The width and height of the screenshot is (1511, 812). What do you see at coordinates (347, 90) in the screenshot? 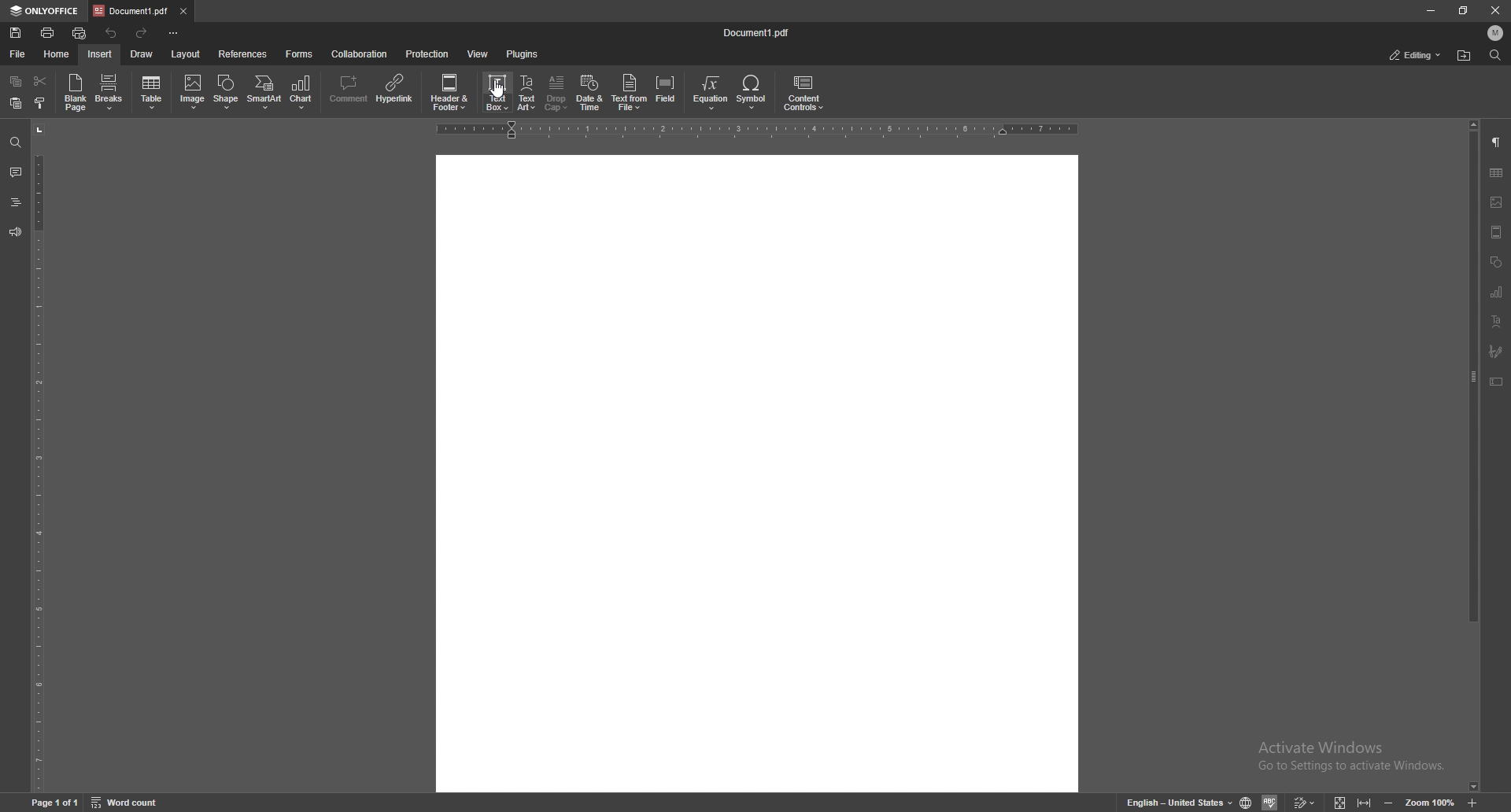
I see `comment` at bounding box center [347, 90].